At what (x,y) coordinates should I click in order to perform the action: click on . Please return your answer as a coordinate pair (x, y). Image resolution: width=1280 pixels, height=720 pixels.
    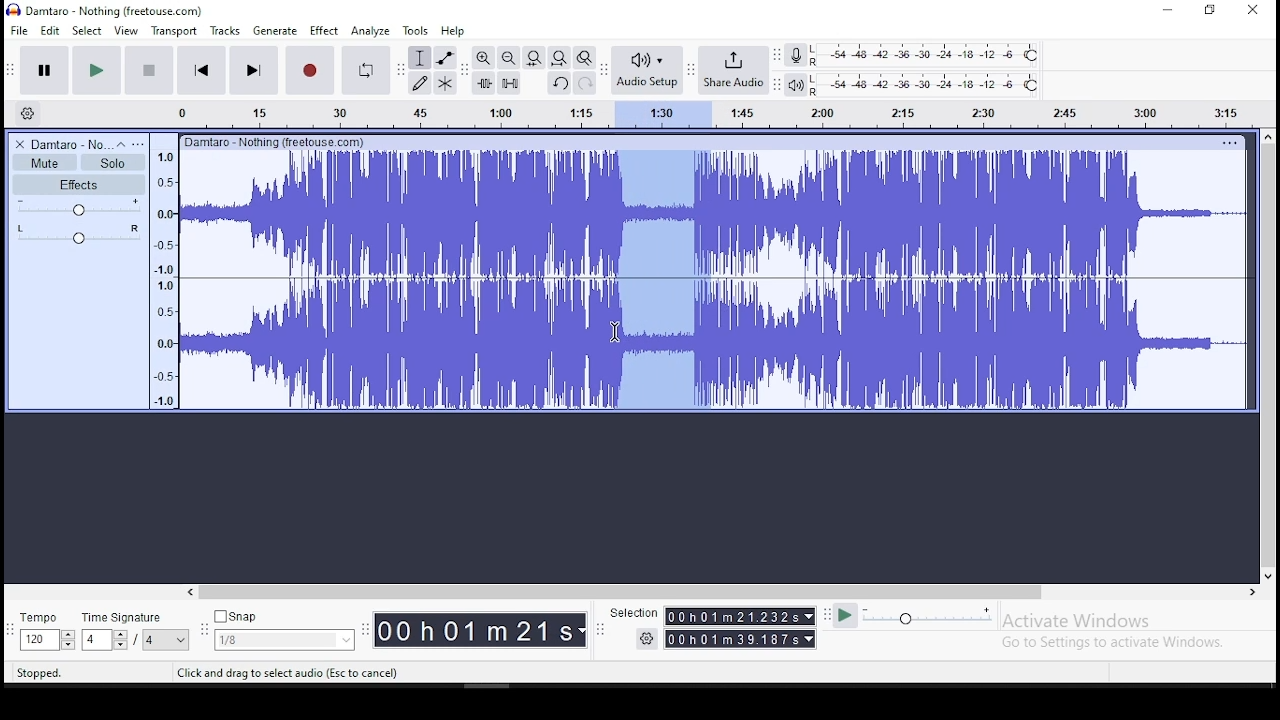
    Looking at the image, I should click on (604, 70).